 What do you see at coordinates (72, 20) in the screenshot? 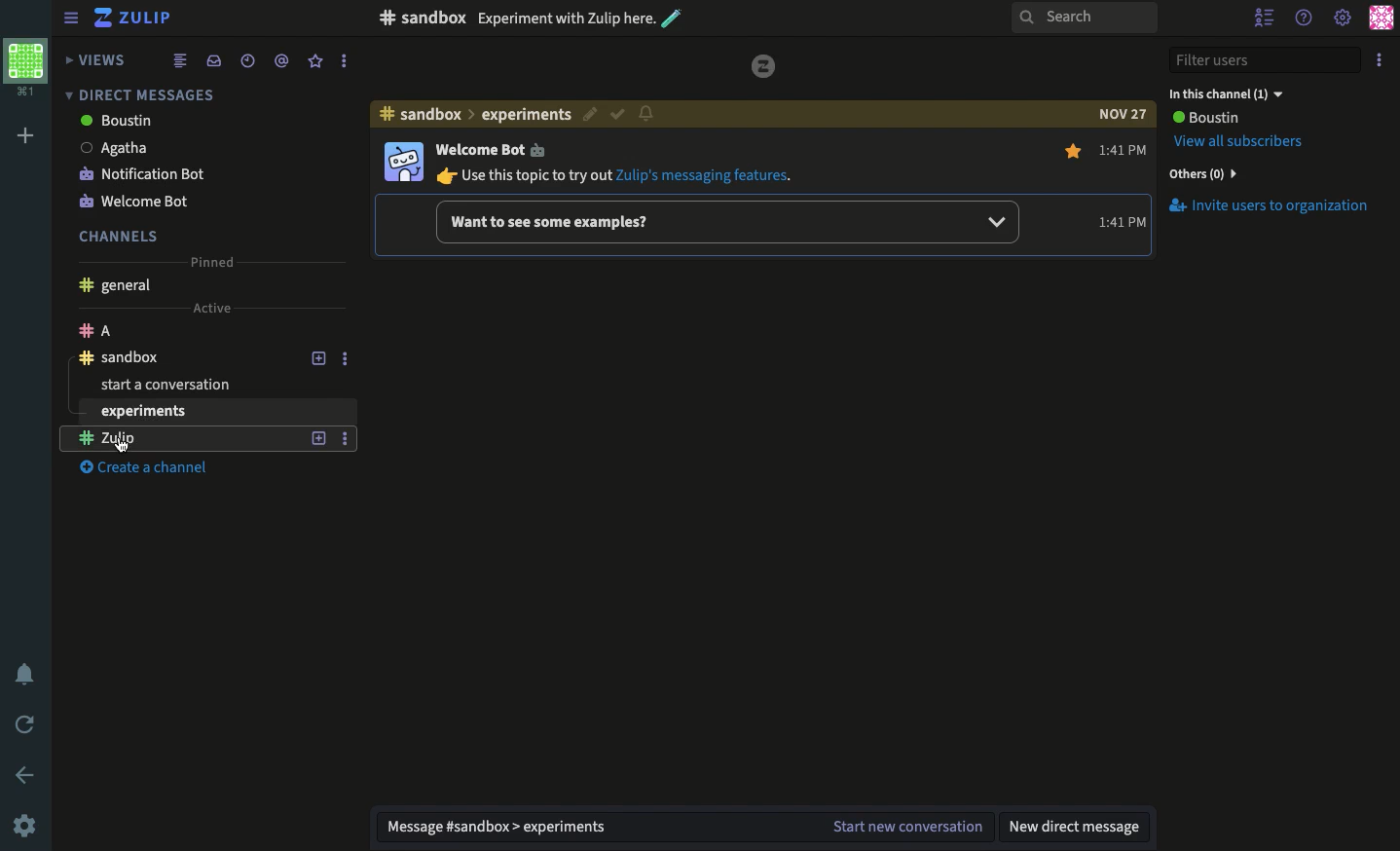
I see `View sidebar` at bounding box center [72, 20].